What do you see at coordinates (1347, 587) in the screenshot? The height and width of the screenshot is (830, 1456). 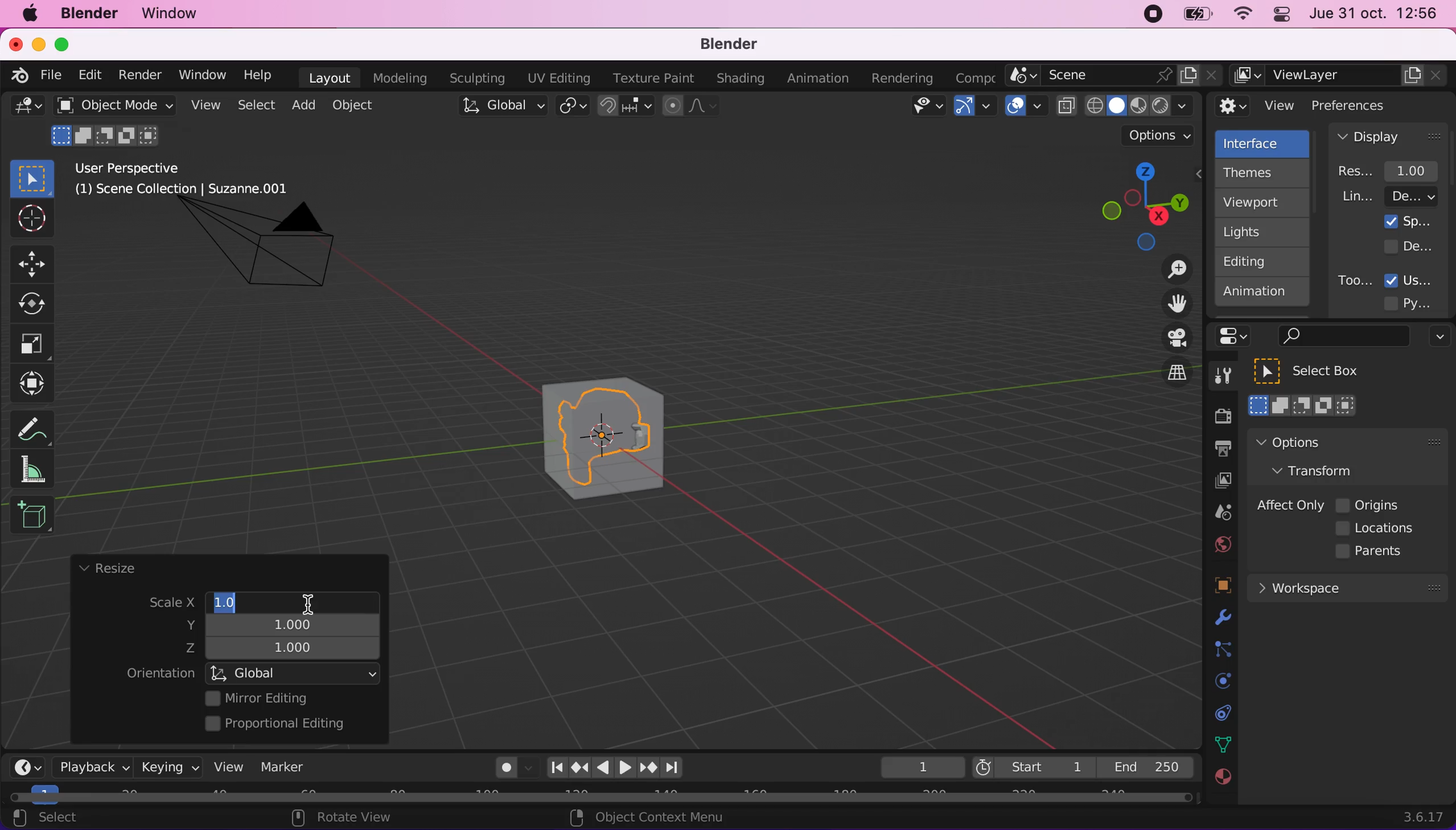 I see `workspace` at bounding box center [1347, 587].